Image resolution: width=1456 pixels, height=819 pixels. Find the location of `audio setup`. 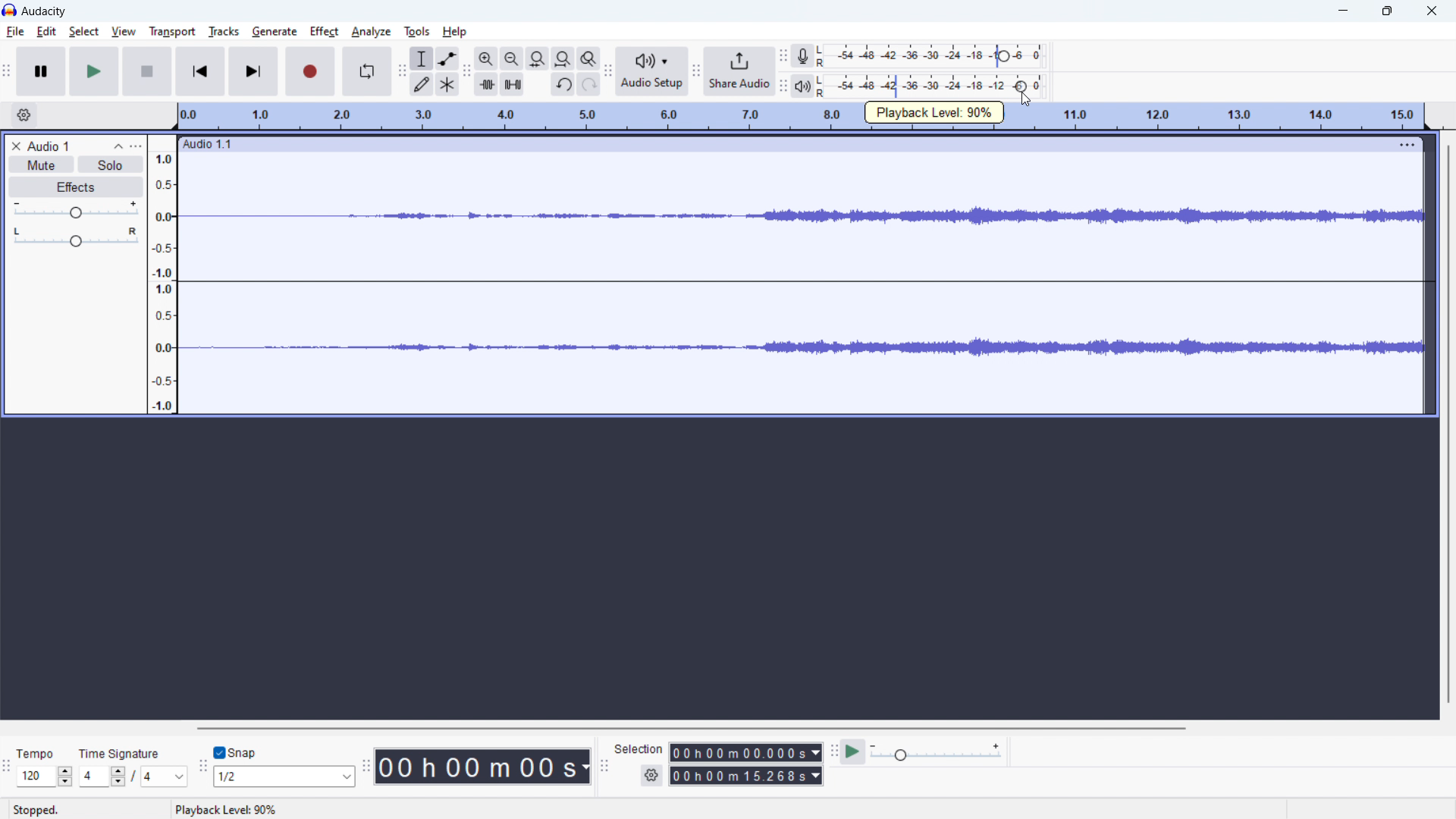

audio setup is located at coordinates (652, 72).